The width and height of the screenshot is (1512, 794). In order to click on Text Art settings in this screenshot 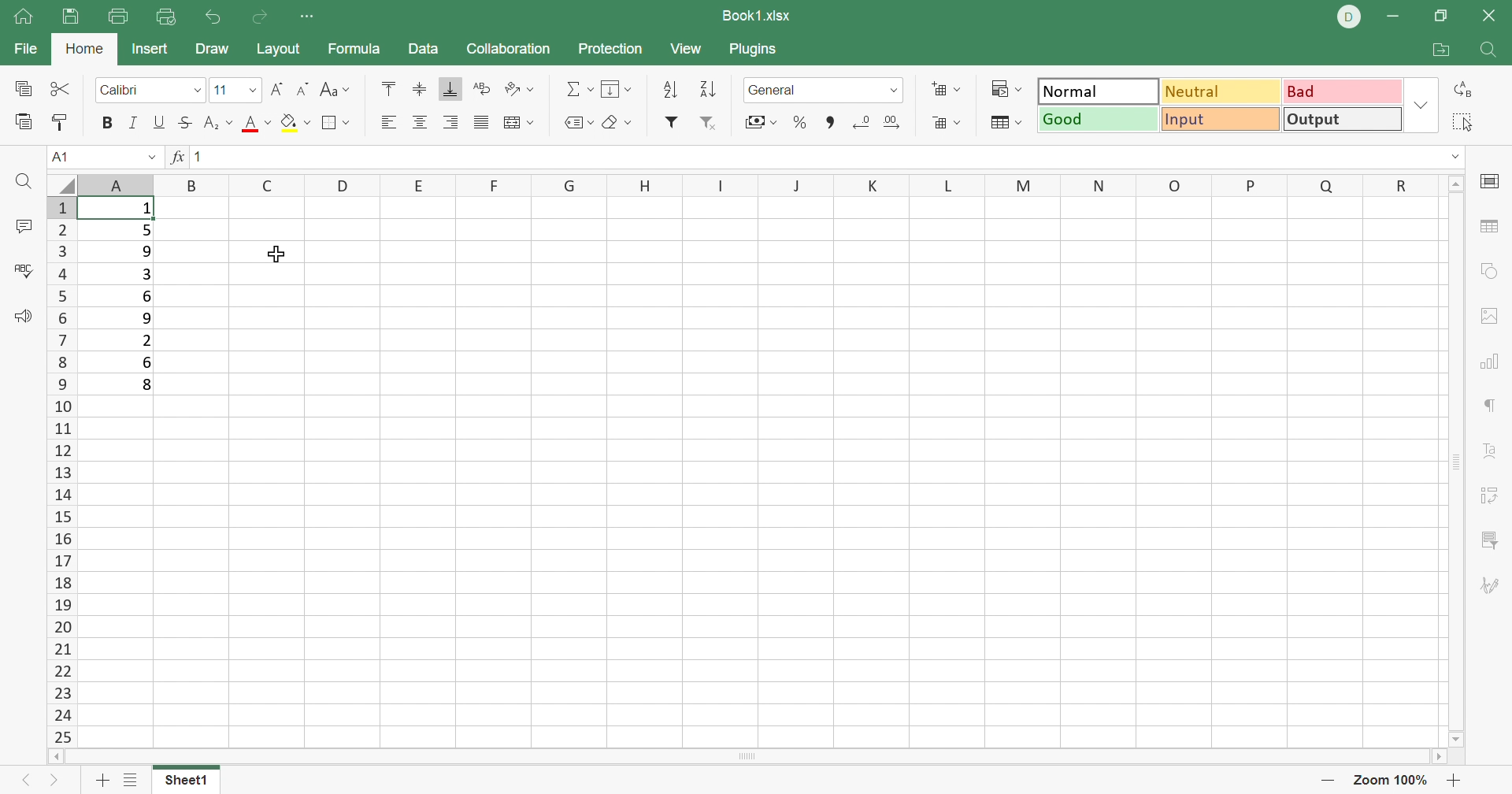, I will do `click(1492, 451)`.